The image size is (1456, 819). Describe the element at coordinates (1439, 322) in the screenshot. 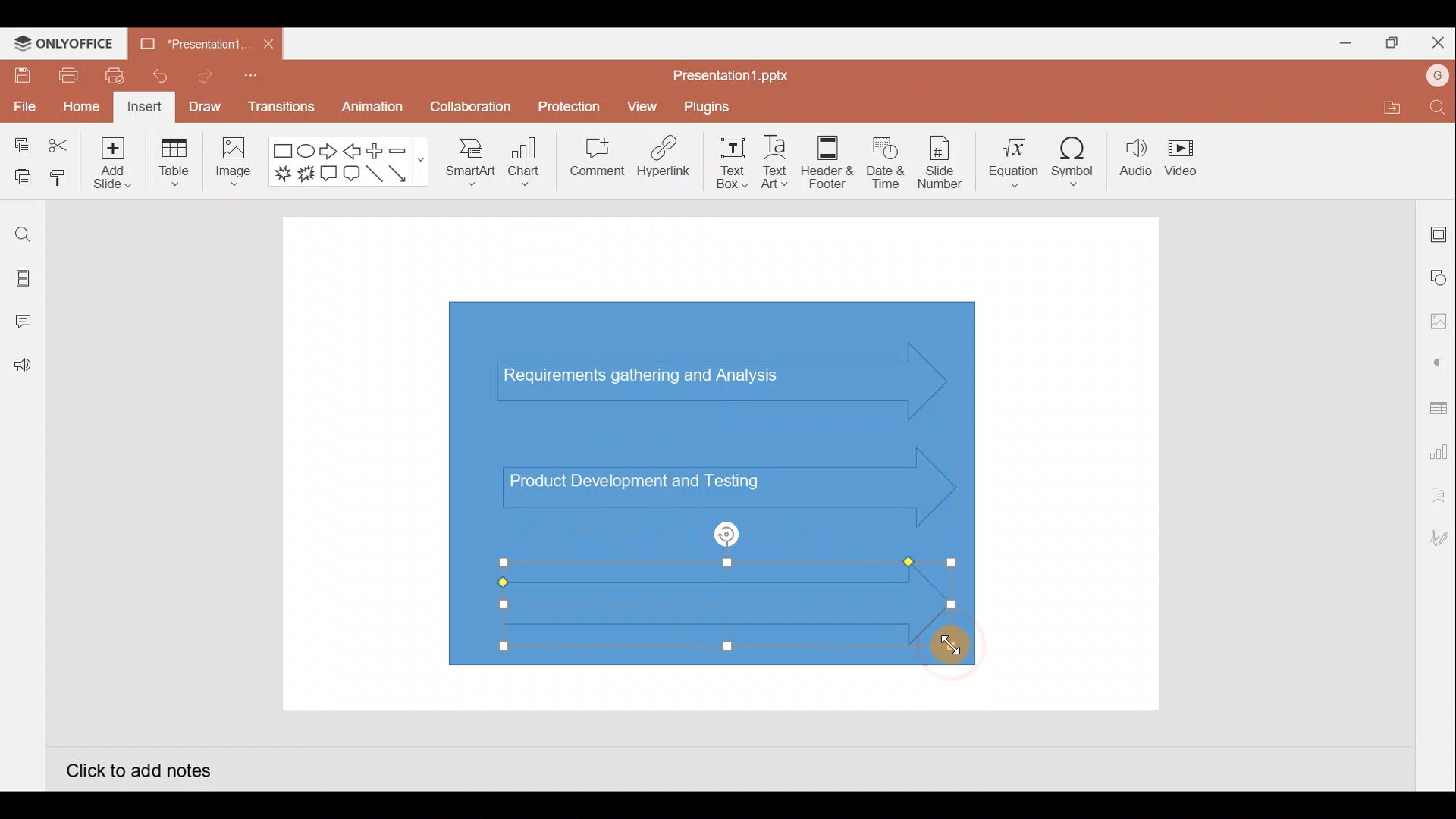

I see `Image settings` at that location.